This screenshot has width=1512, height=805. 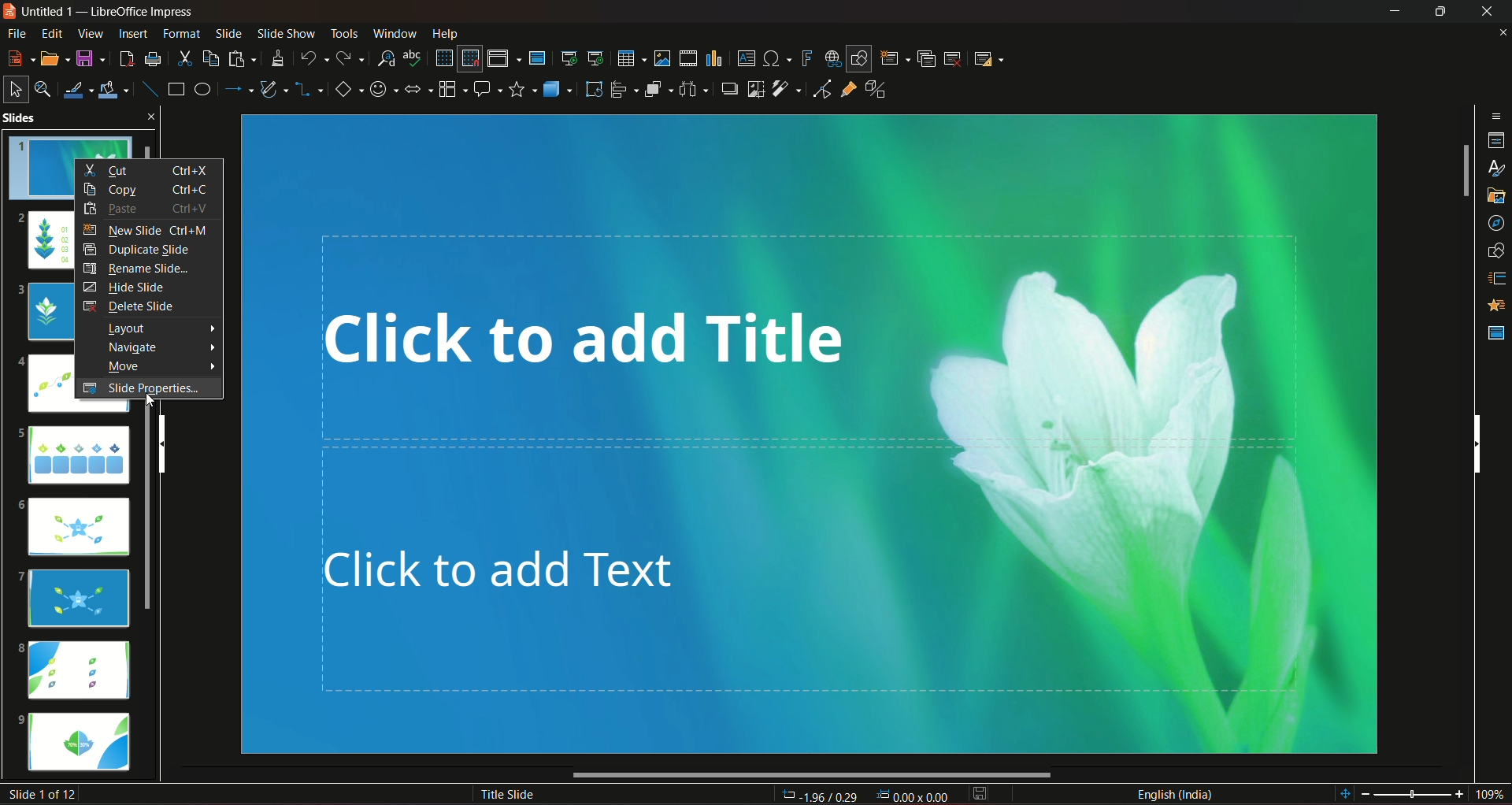 What do you see at coordinates (342, 32) in the screenshot?
I see `tools` at bounding box center [342, 32].